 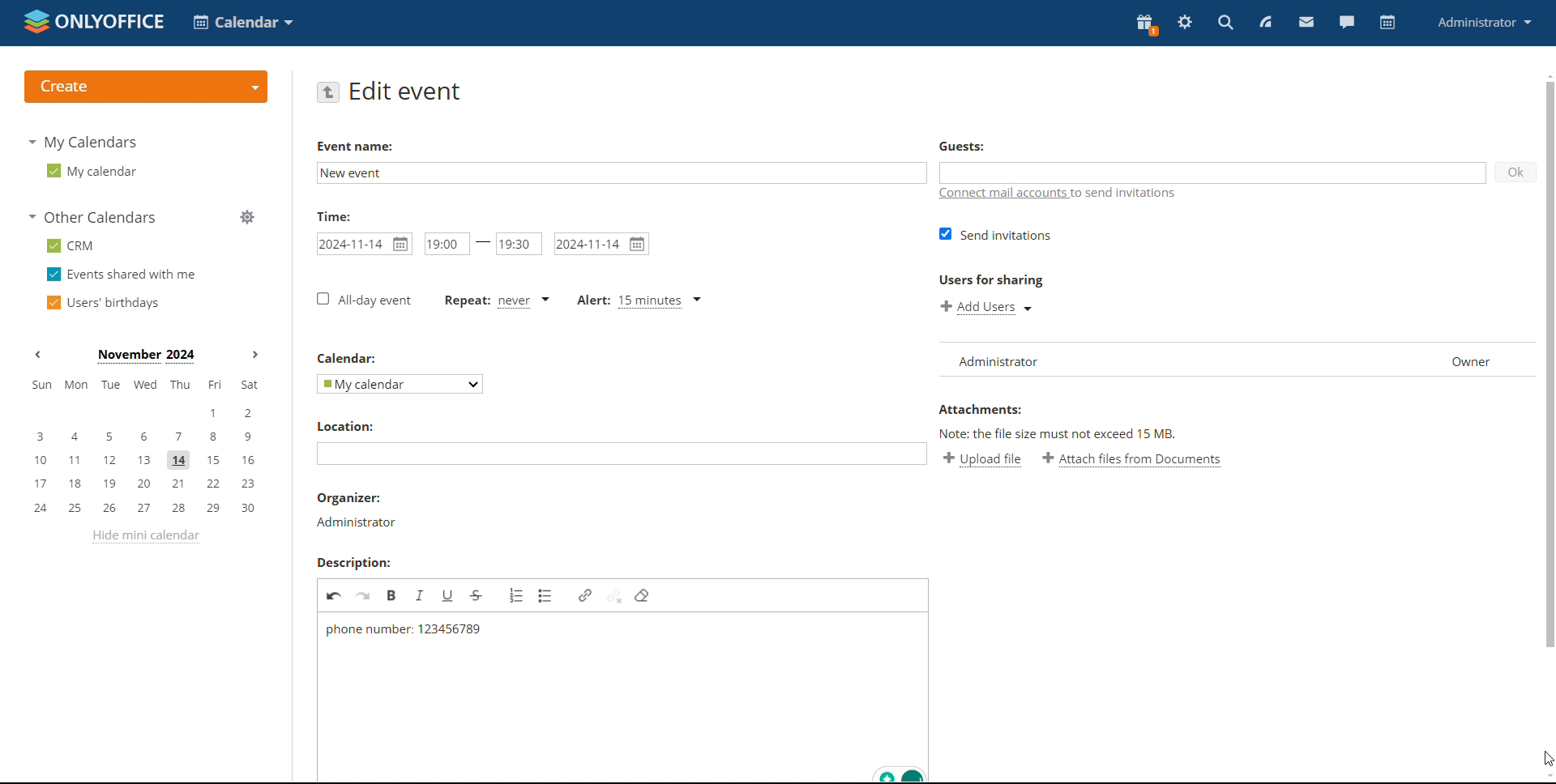 I want to click on search, so click(x=1224, y=23).